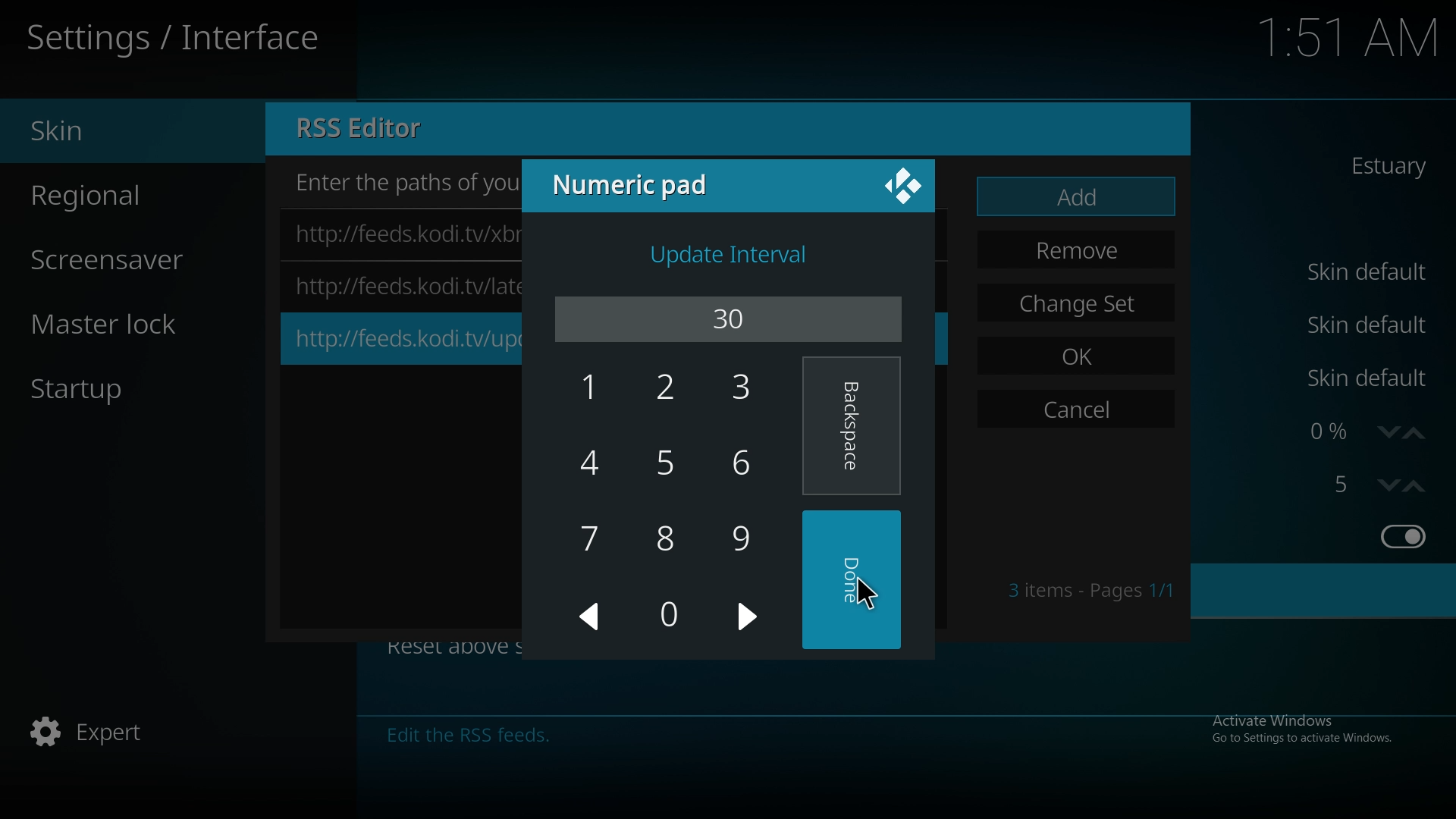 The image size is (1456, 819). What do you see at coordinates (399, 127) in the screenshot?
I see `RSS Editor` at bounding box center [399, 127].